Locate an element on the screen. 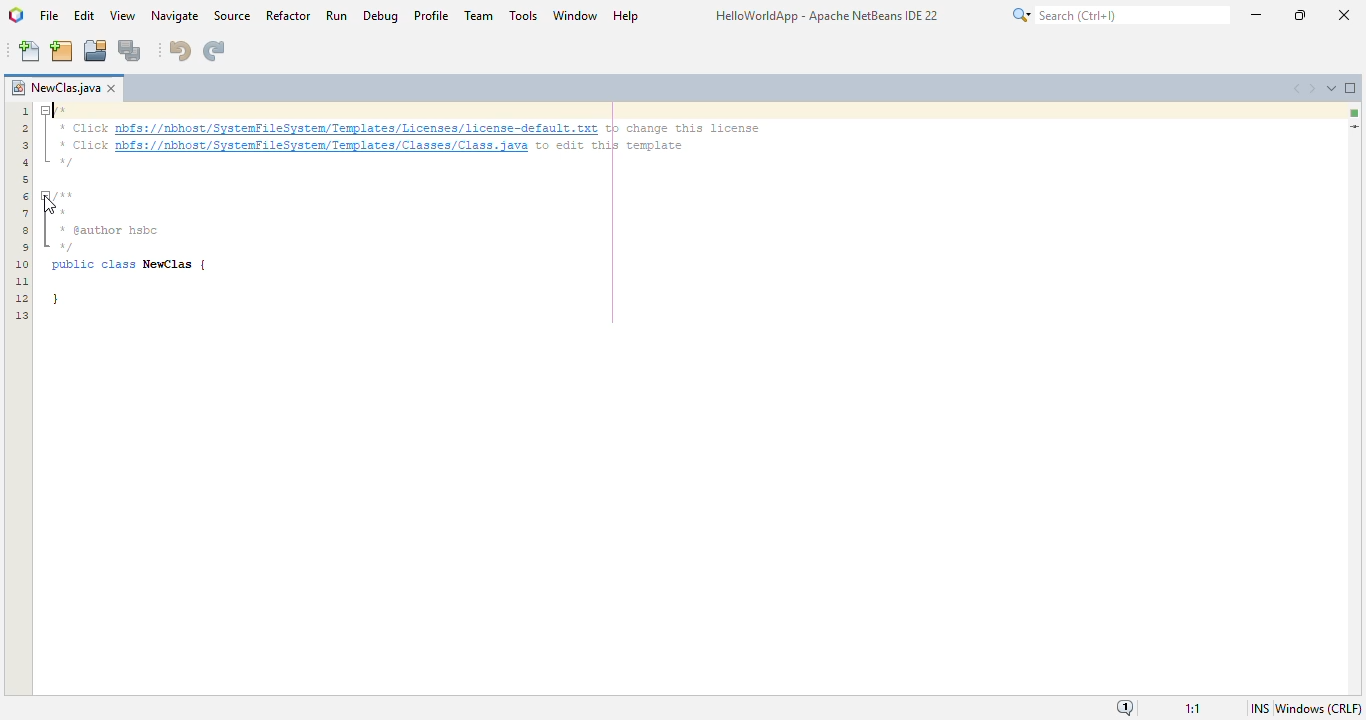 The width and height of the screenshot is (1366, 720). magnification ratio is located at coordinates (1193, 709).